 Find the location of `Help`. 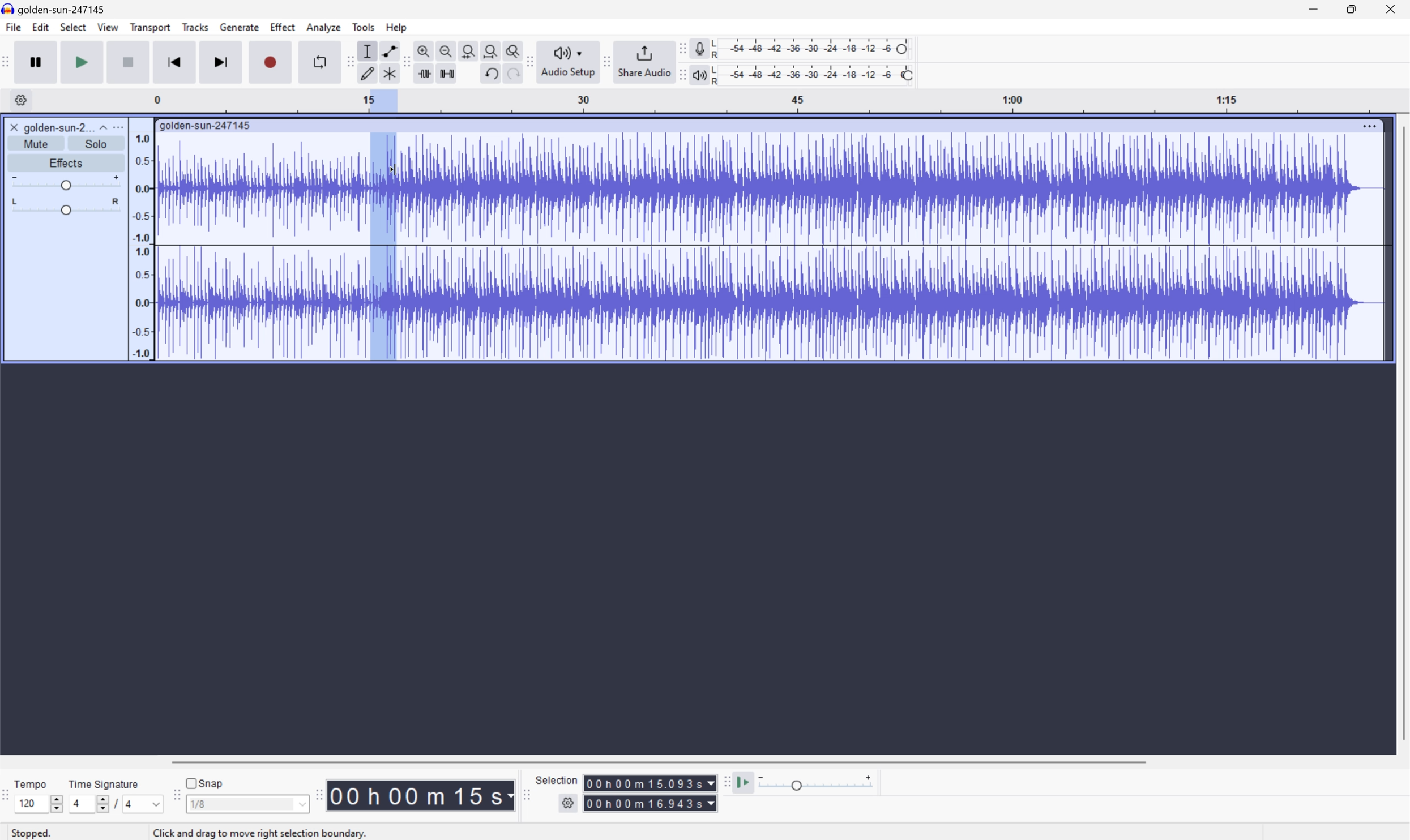

Help is located at coordinates (397, 27).